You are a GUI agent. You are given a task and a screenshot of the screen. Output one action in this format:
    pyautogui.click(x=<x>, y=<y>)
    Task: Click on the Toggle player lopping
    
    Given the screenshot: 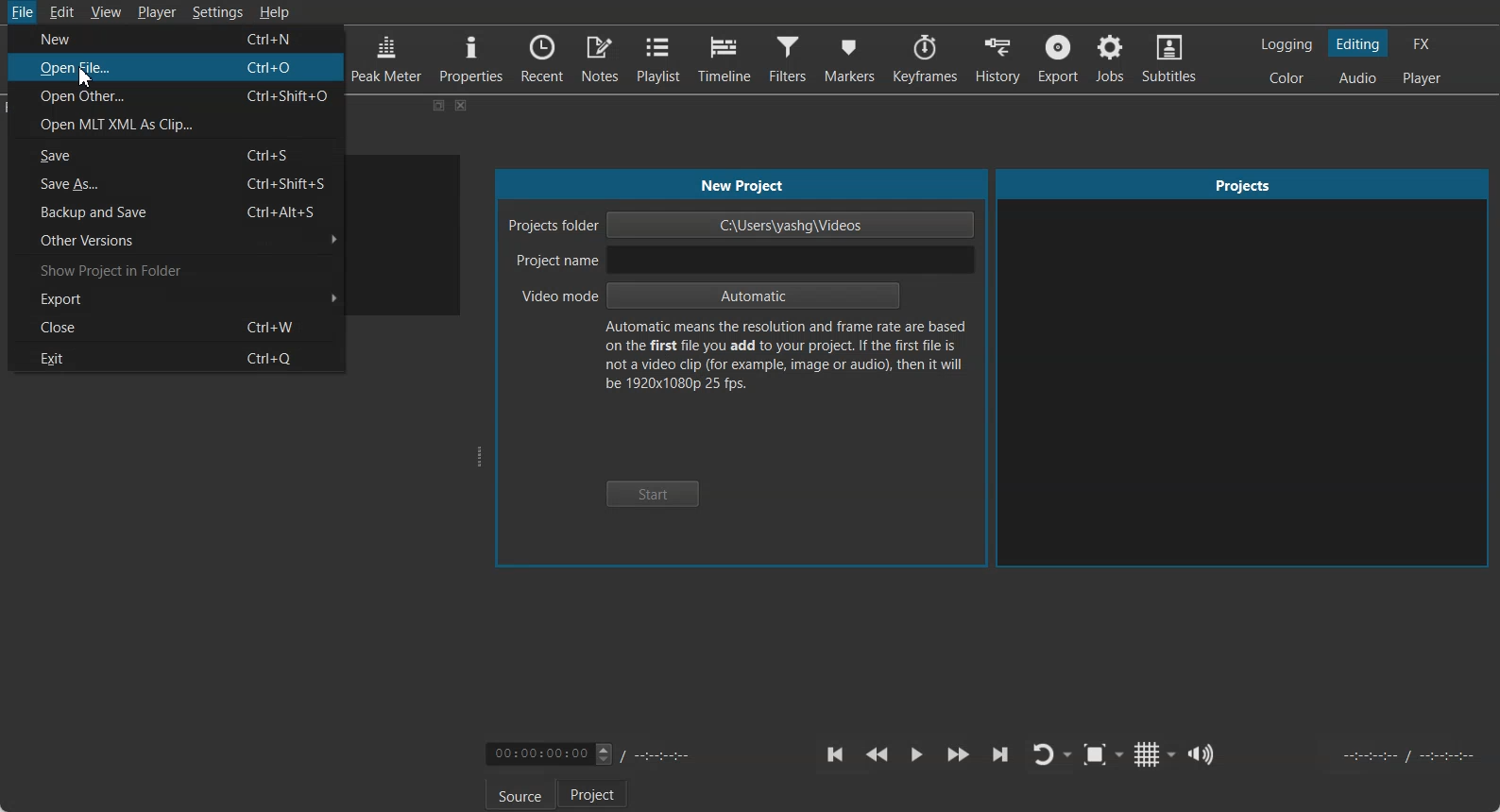 What is the action you would take?
    pyautogui.click(x=1040, y=755)
    